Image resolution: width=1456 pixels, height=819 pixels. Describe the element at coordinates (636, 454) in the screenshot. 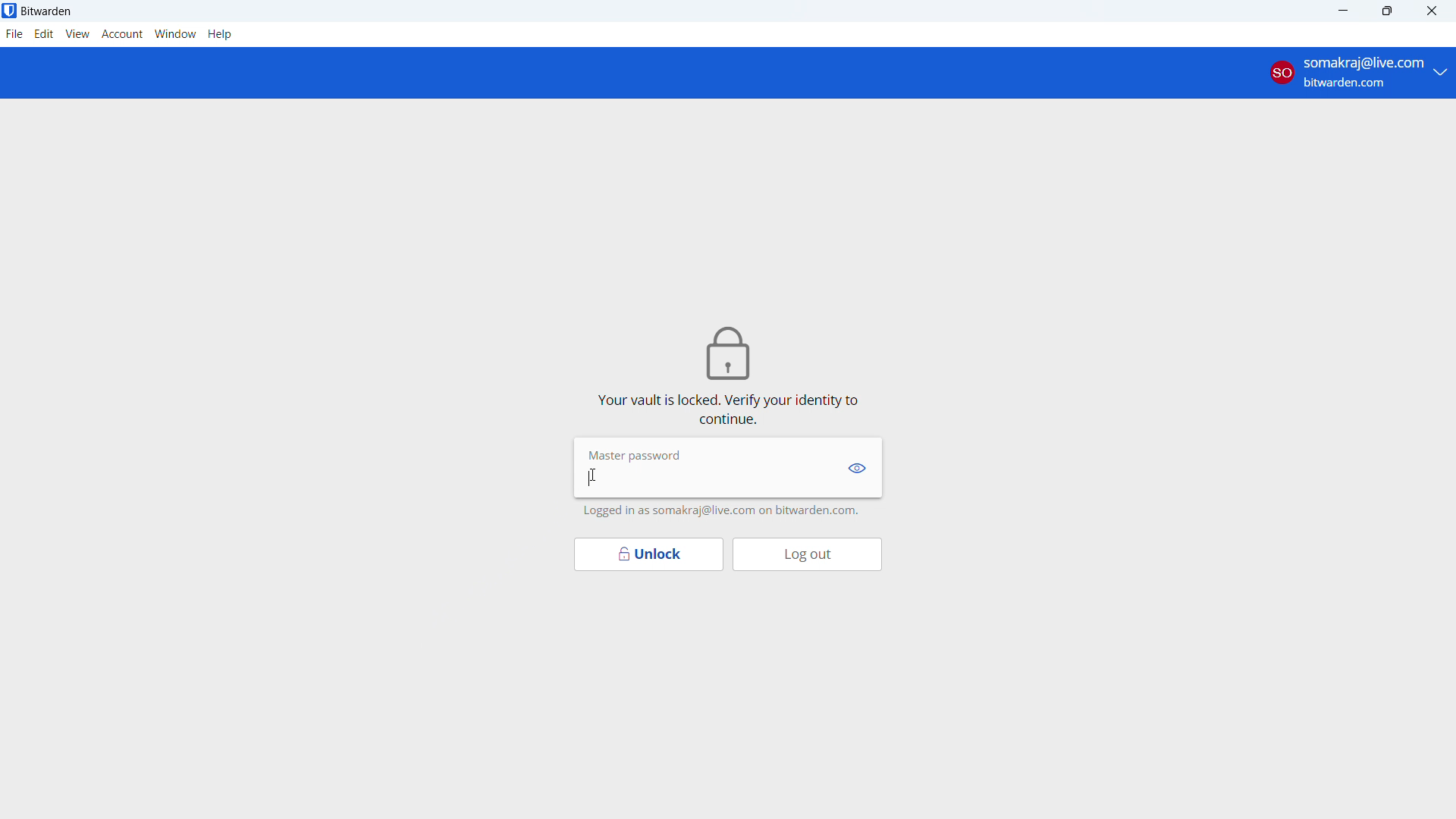

I see `Master password` at that location.